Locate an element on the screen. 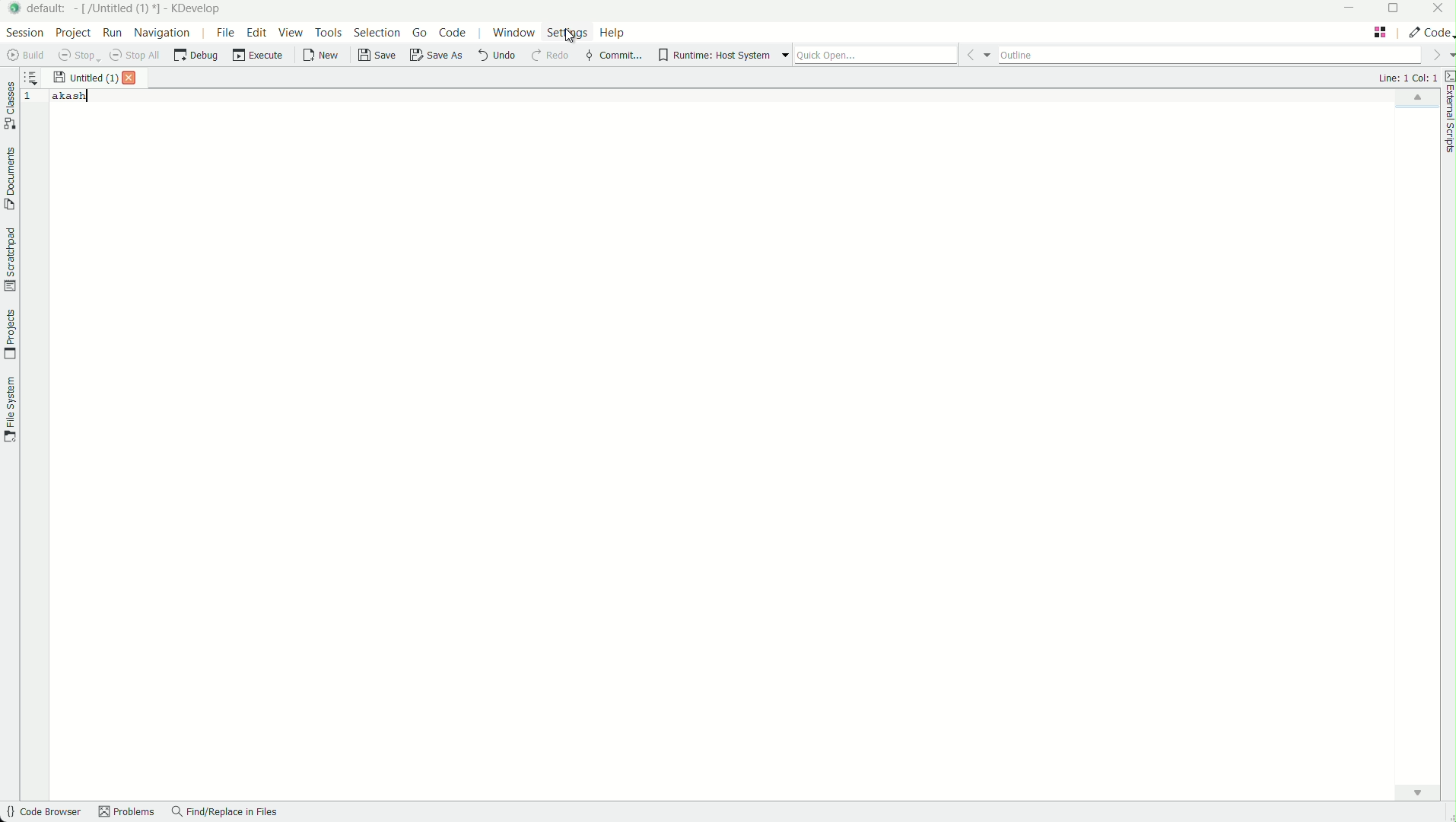 The image size is (1456, 822). runtime host system is located at coordinates (714, 56).